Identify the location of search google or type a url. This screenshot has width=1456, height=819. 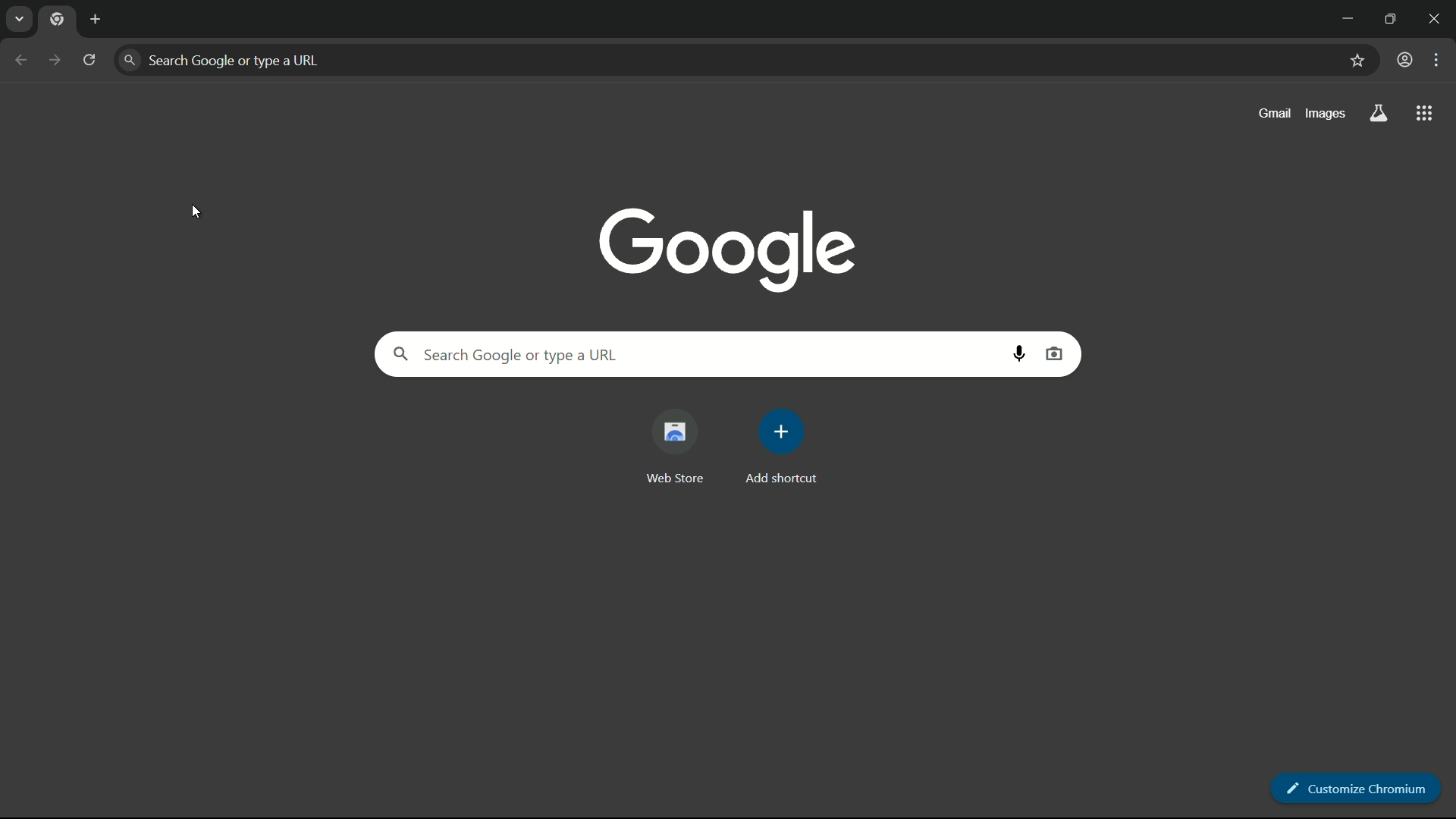
(689, 354).